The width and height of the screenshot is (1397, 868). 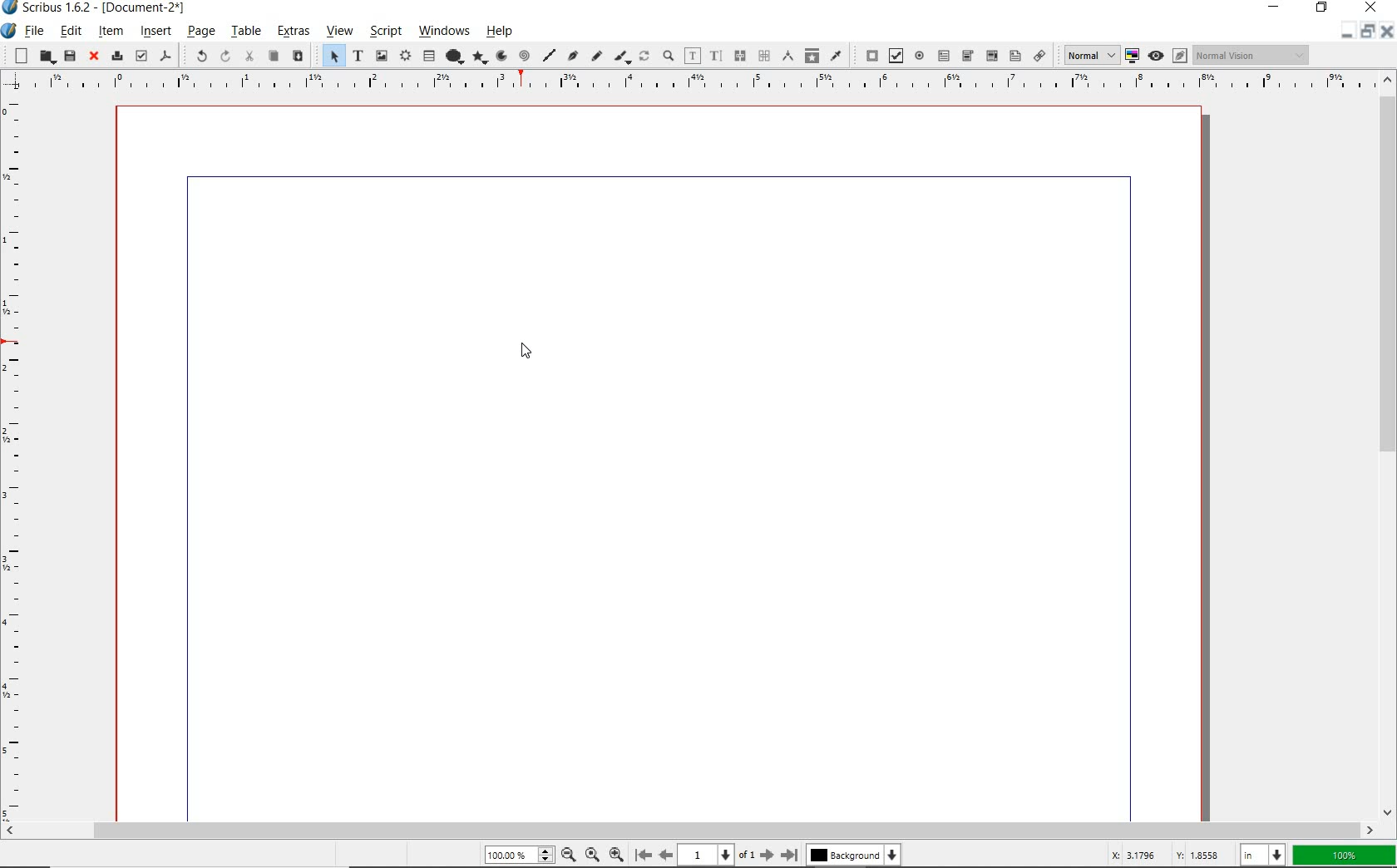 What do you see at coordinates (921, 56) in the screenshot?
I see `pdf radio button` at bounding box center [921, 56].